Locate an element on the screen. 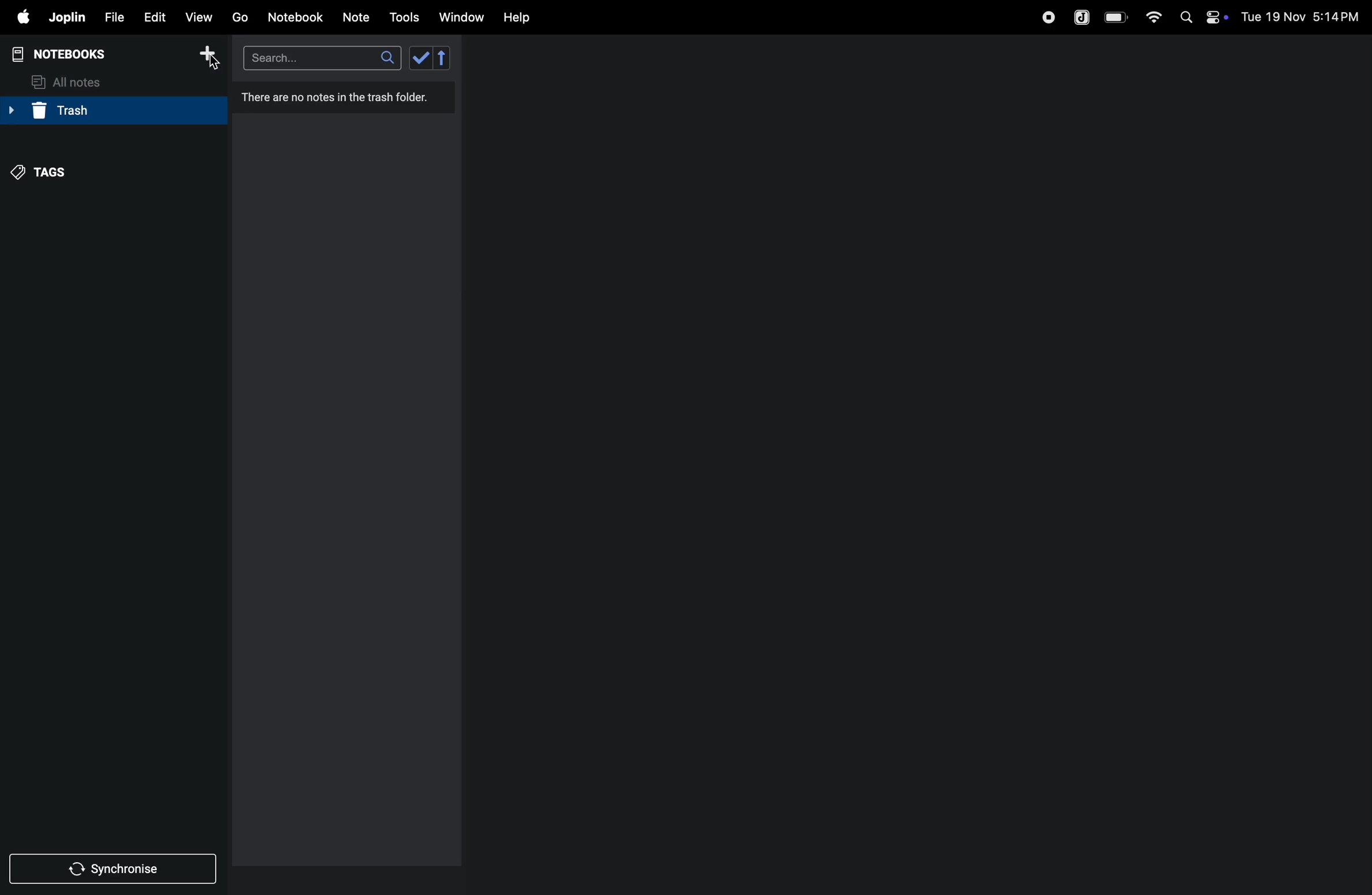  tags is located at coordinates (45, 174).